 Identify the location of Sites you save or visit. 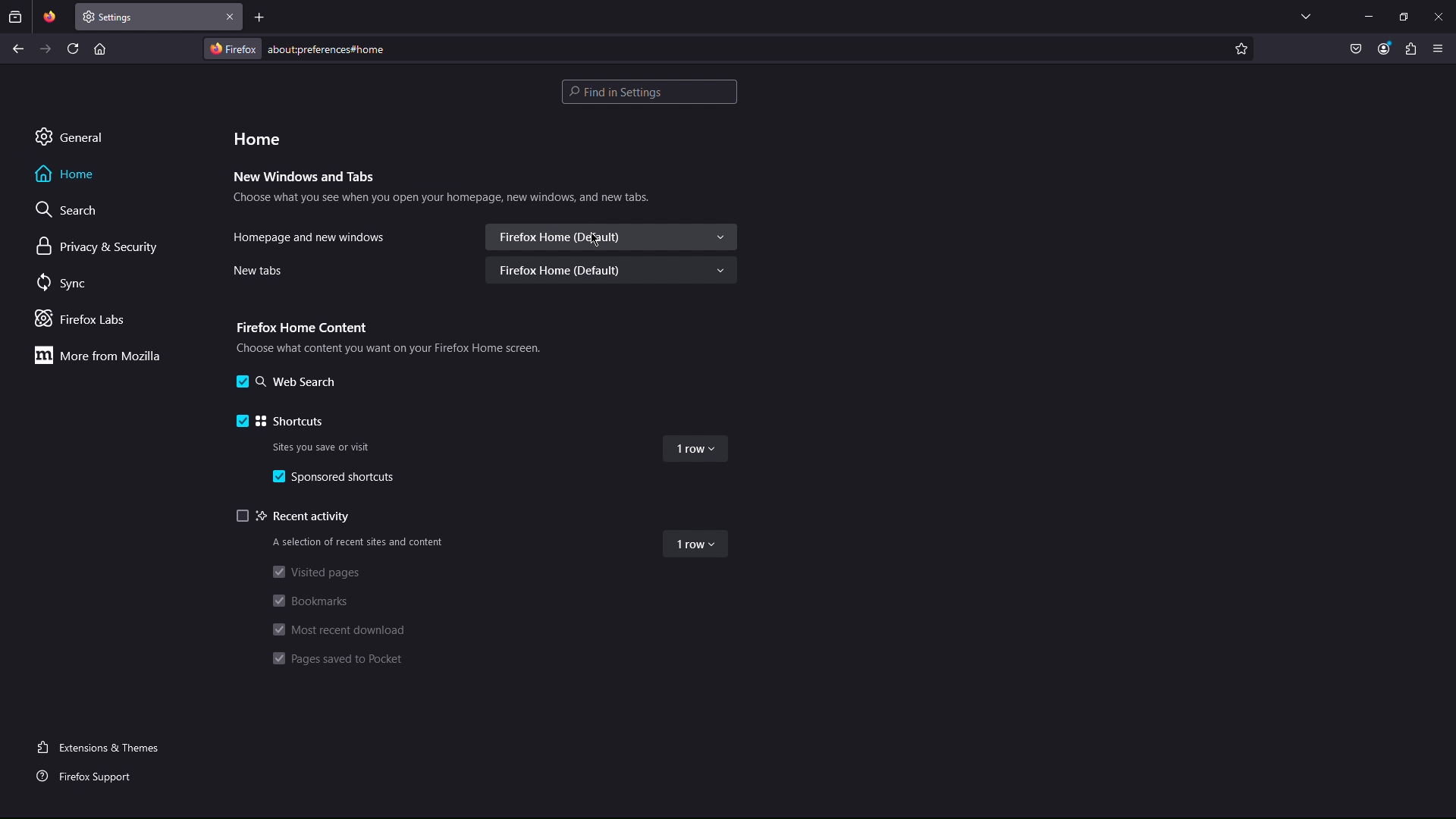
(322, 447).